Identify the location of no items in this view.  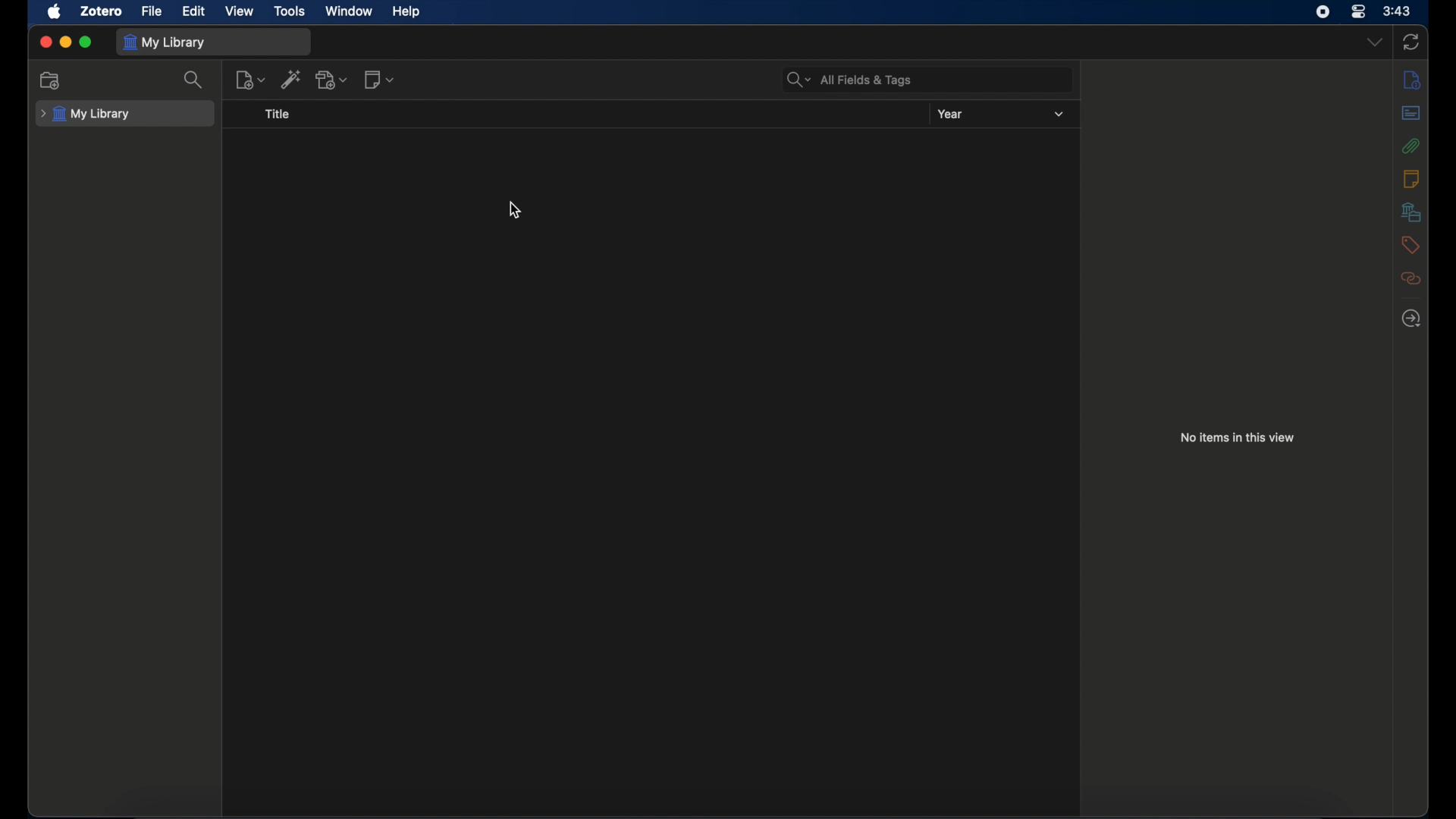
(1238, 437).